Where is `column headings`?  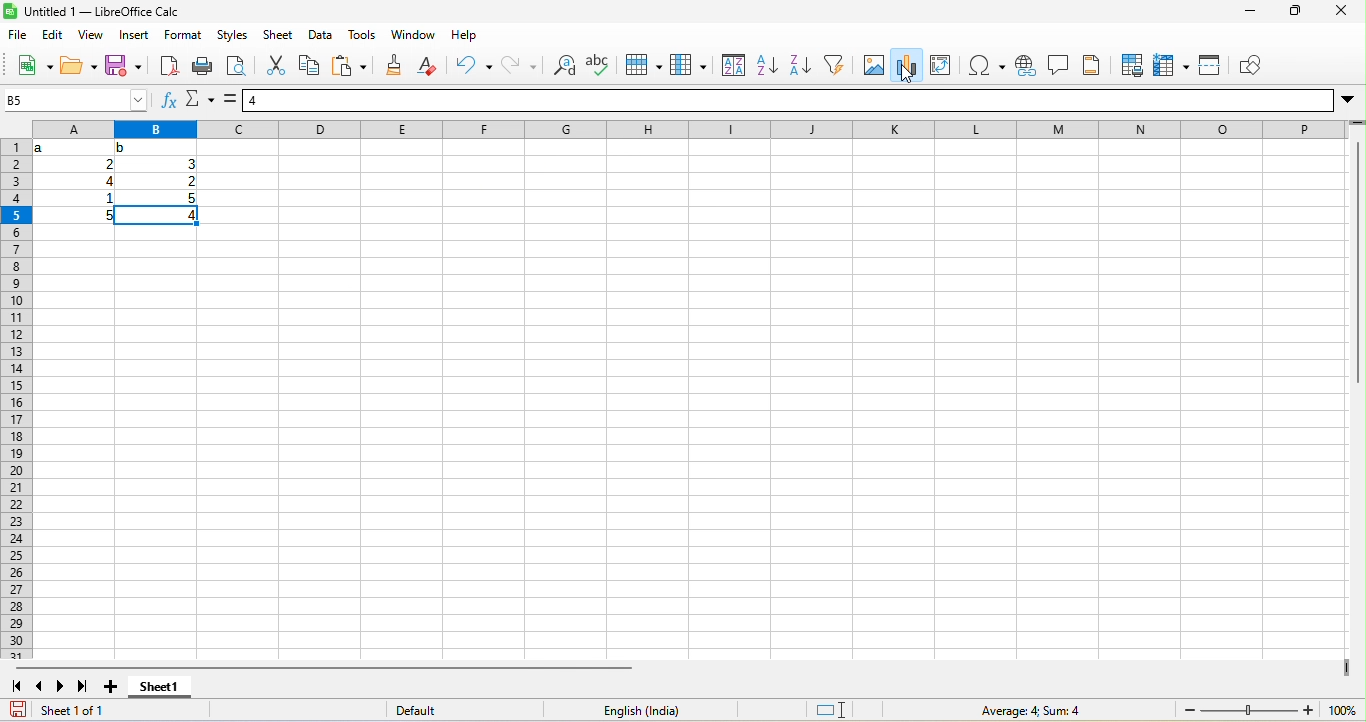 column headings is located at coordinates (690, 129).